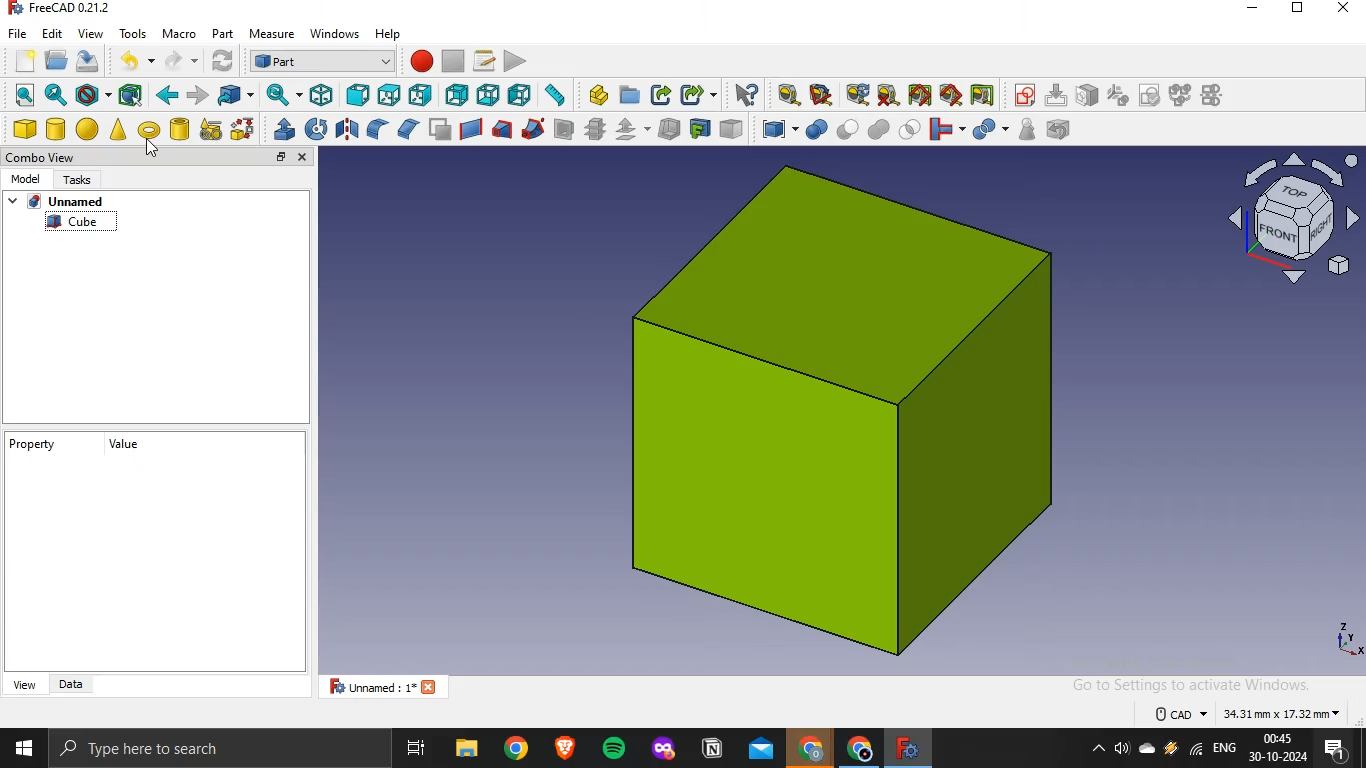 The width and height of the screenshot is (1366, 768). Describe the element at coordinates (283, 94) in the screenshot. I see `sync view` at that location.